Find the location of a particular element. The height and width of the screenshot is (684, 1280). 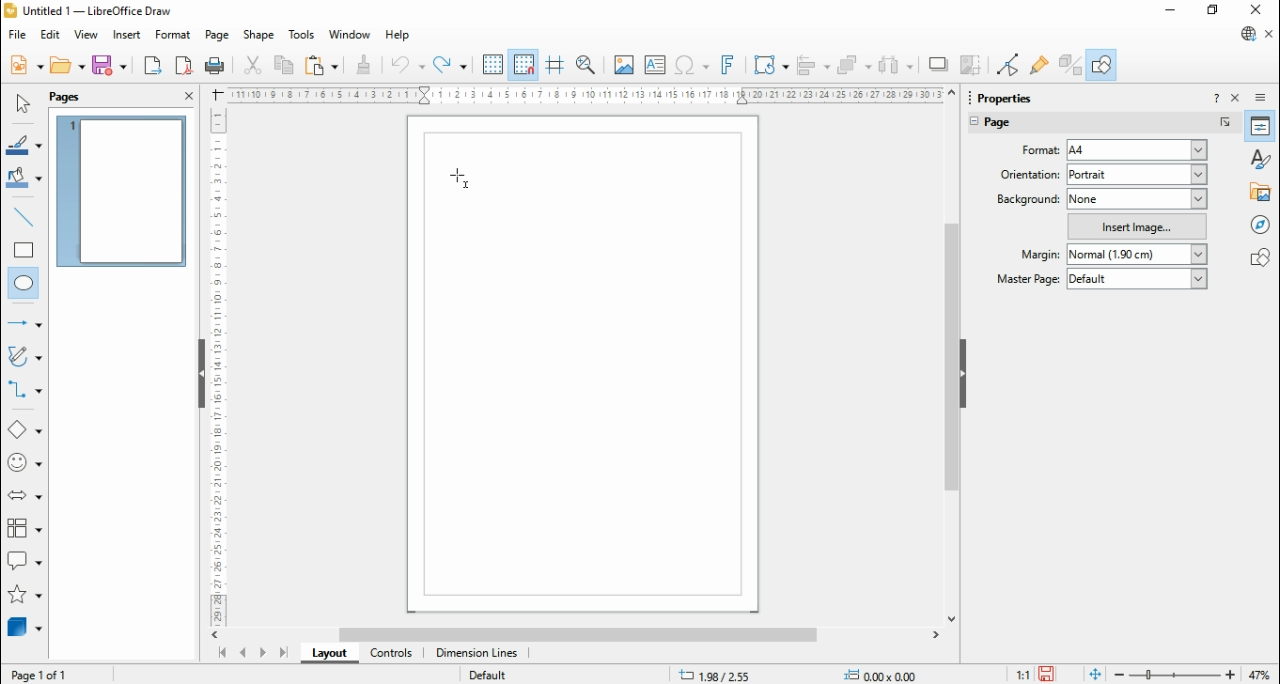

view is located at coordinates (86, 34).